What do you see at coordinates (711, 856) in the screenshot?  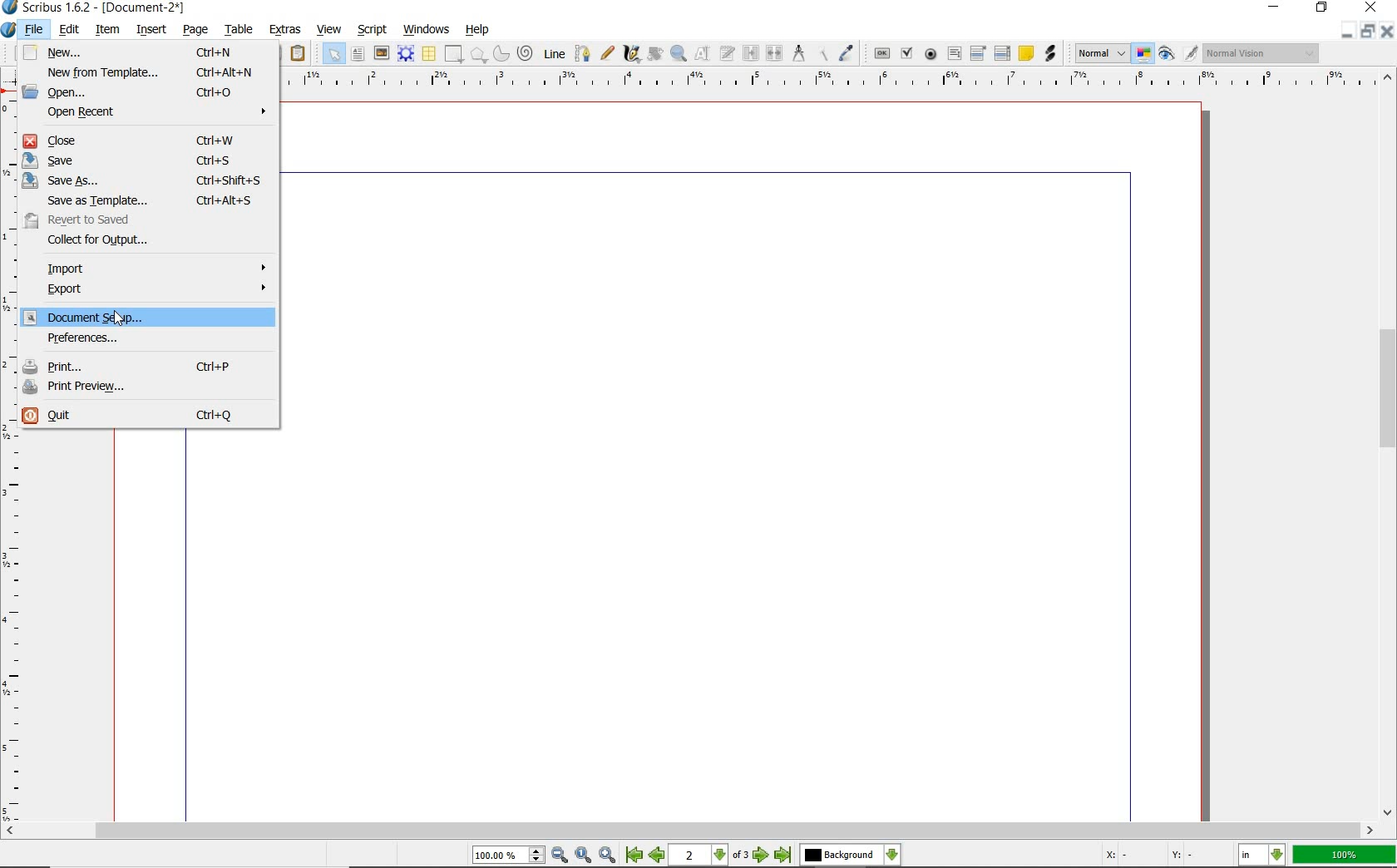 I see `2 of 3` at bounding box center [711, 856].